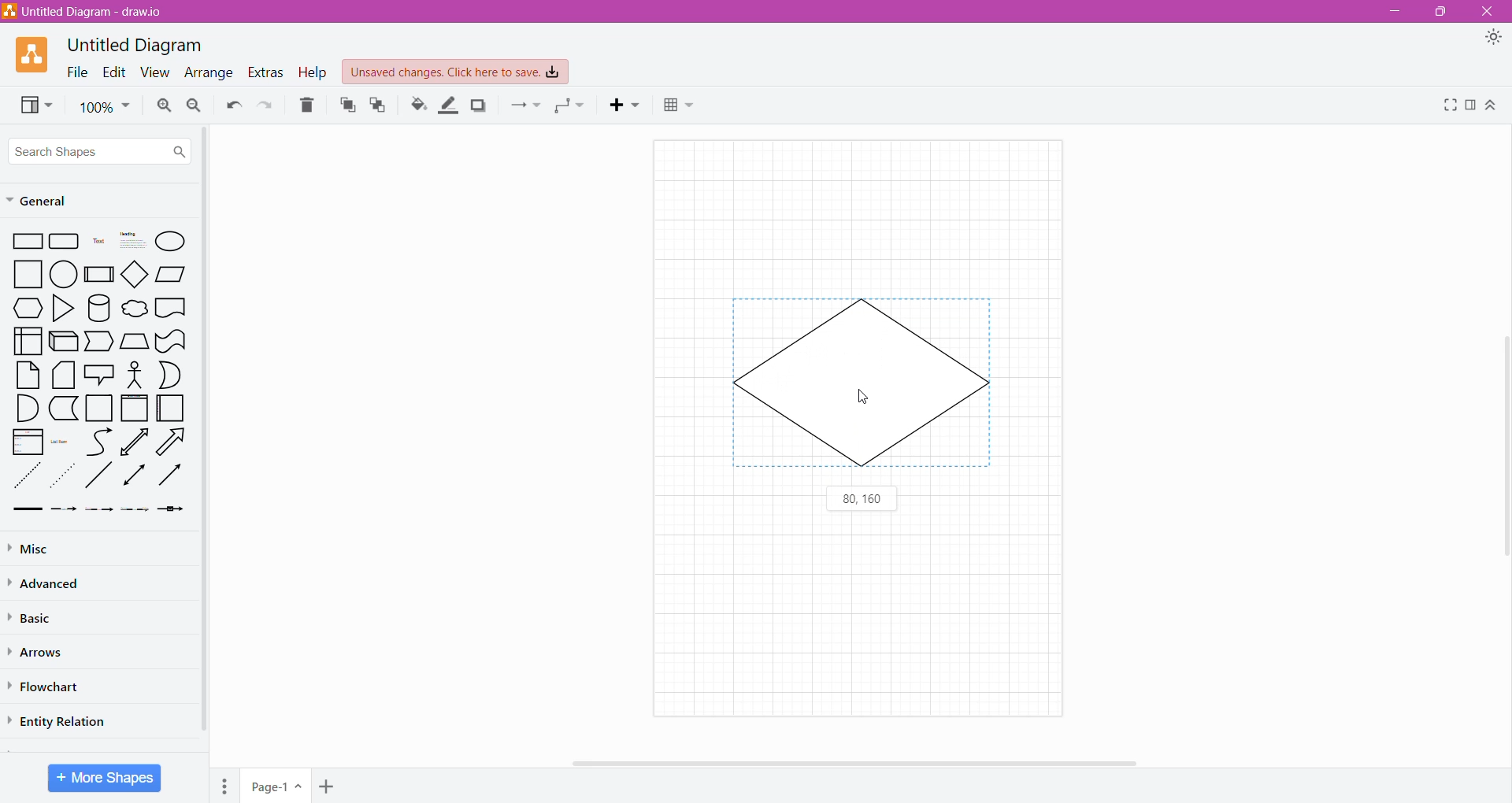 The width and height of the screenshot is (1512, 803). I want to click on Untitled Diagram - draw.io, so click(89, 11).